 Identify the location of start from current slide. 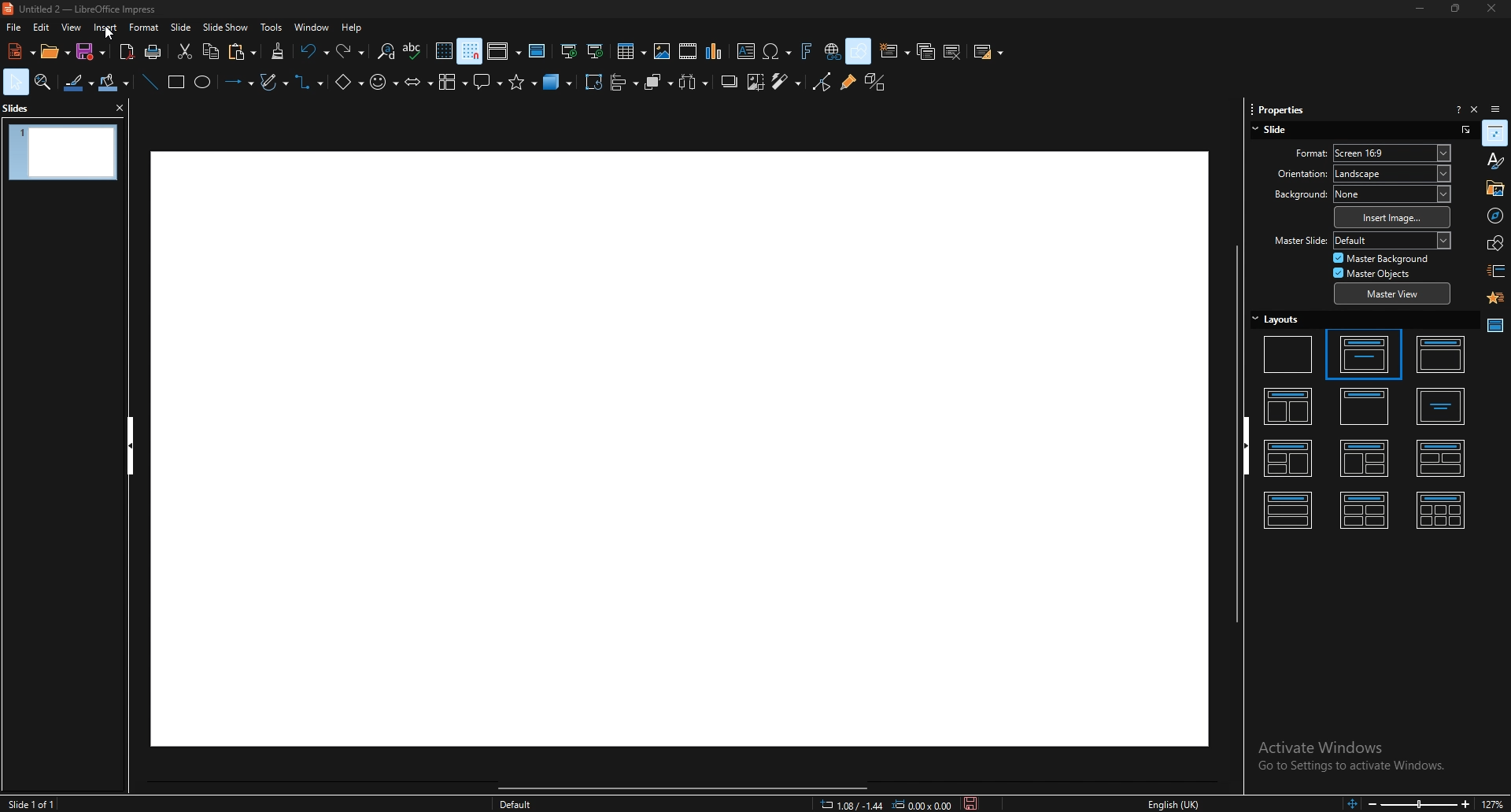
(595, 52).